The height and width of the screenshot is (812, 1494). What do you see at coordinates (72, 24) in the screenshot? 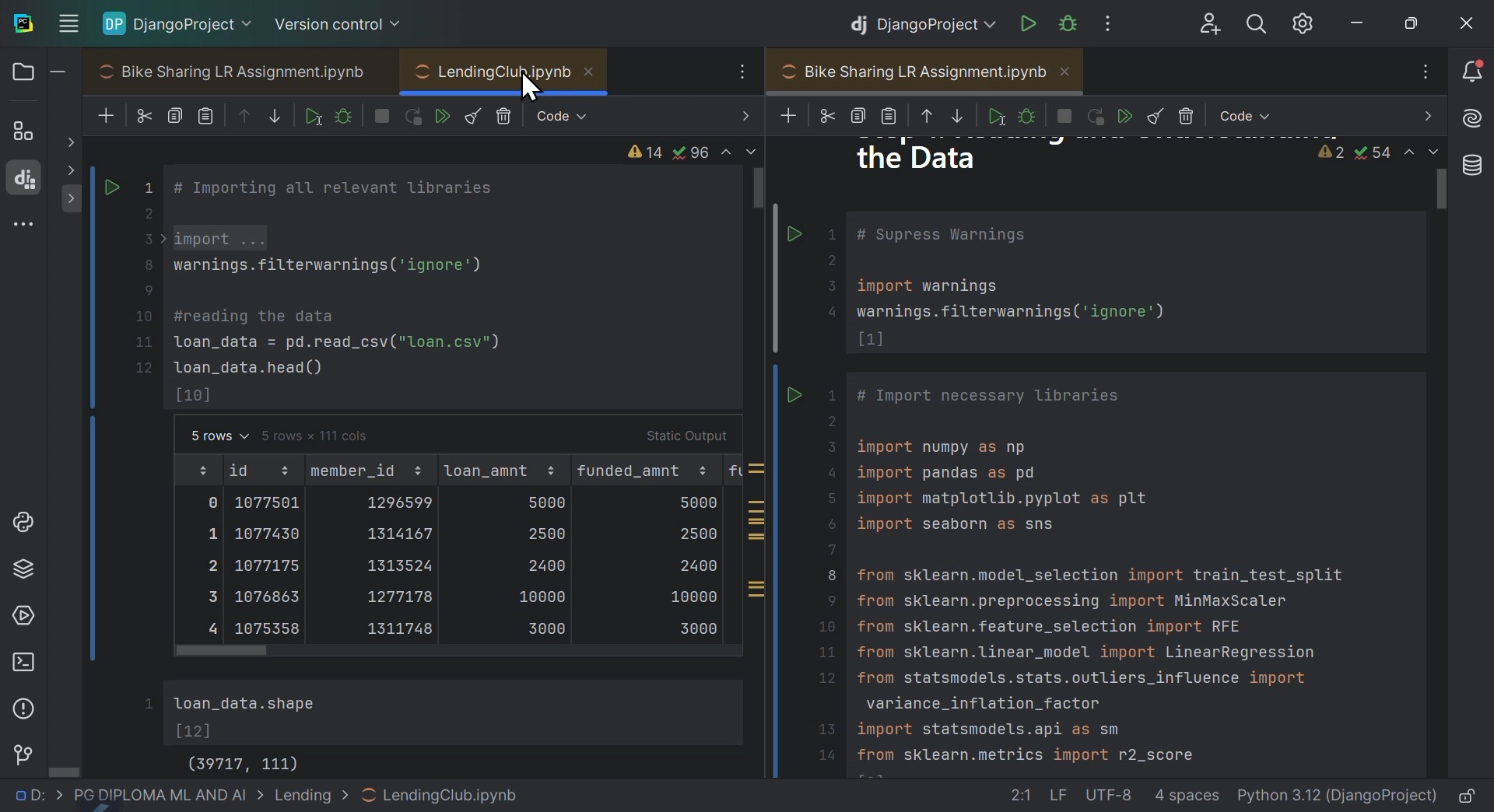
I see `` at bounding box center [72, 24].